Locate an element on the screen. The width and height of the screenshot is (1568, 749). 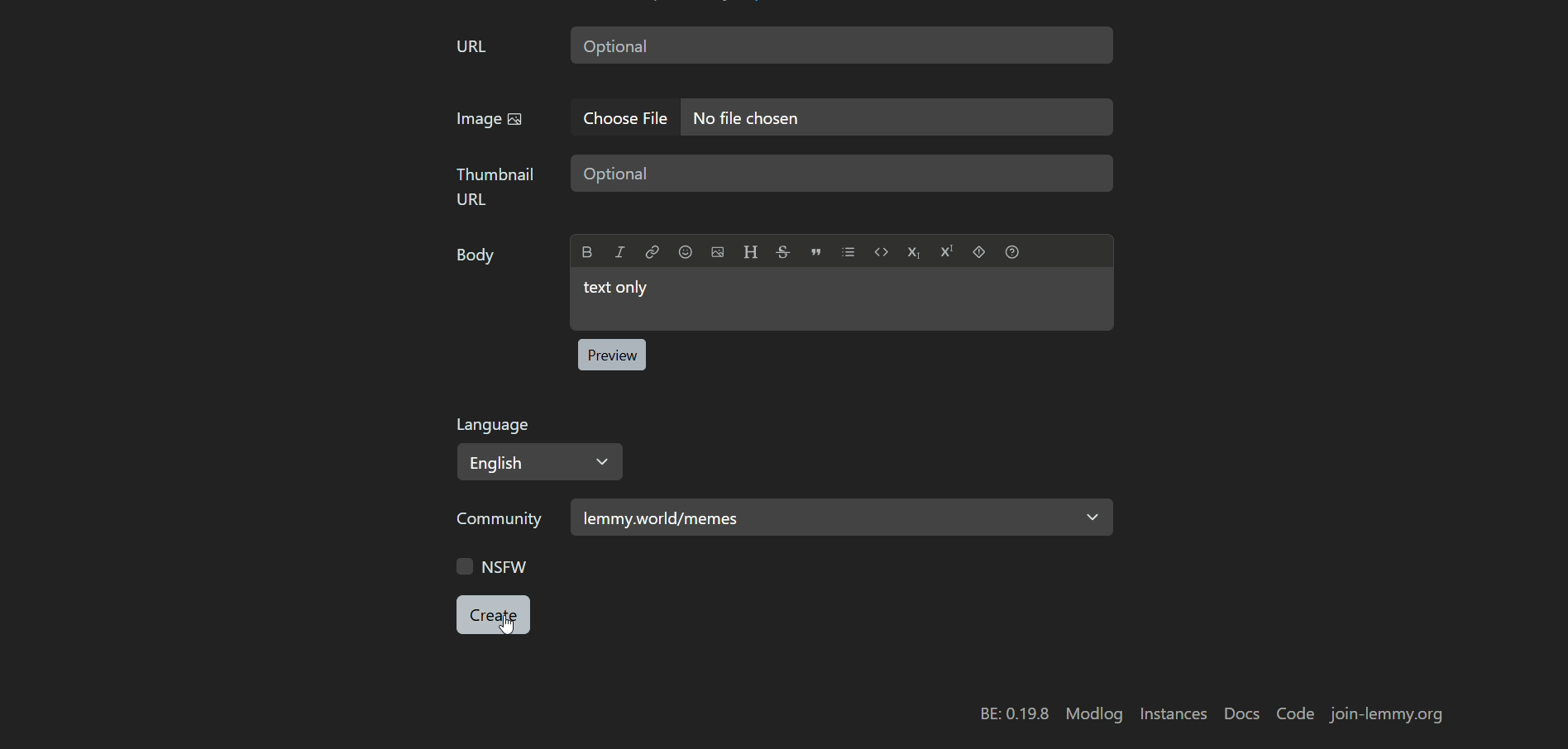
Bold is located at coordinates (588, 252).